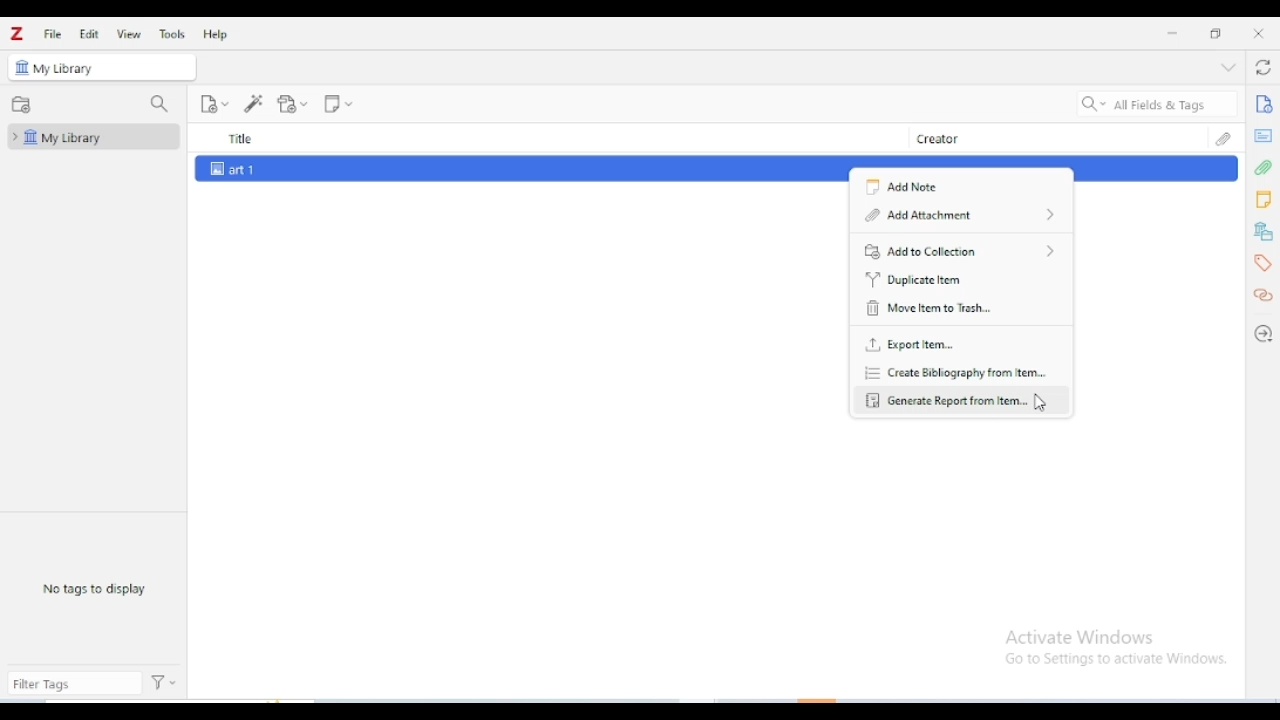  Describe the element at coordinates (1262, 295) in the screenshot. I see `related` at that location.